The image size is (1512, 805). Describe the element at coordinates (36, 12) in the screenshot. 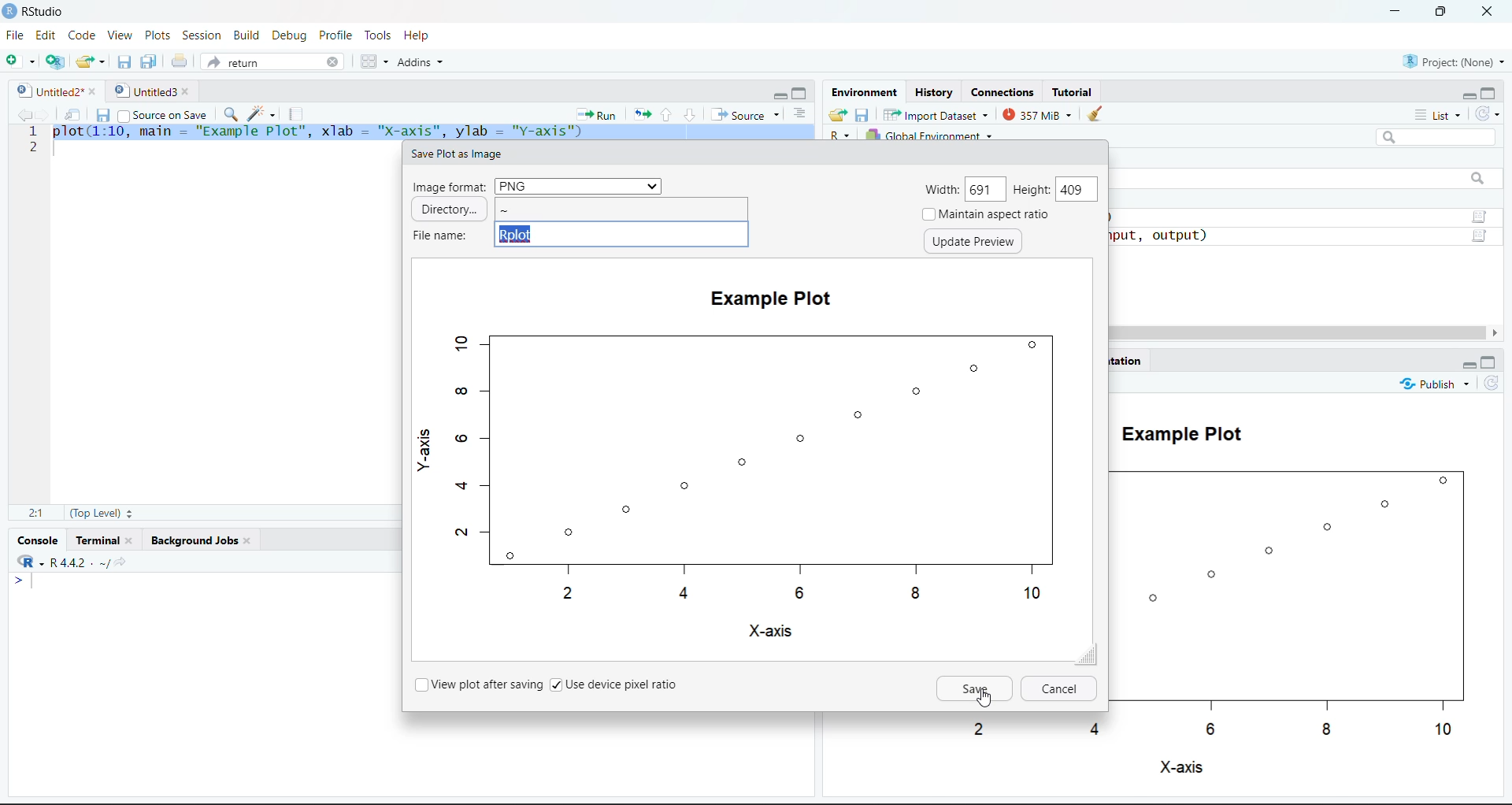

I see `RStudio` at that location.